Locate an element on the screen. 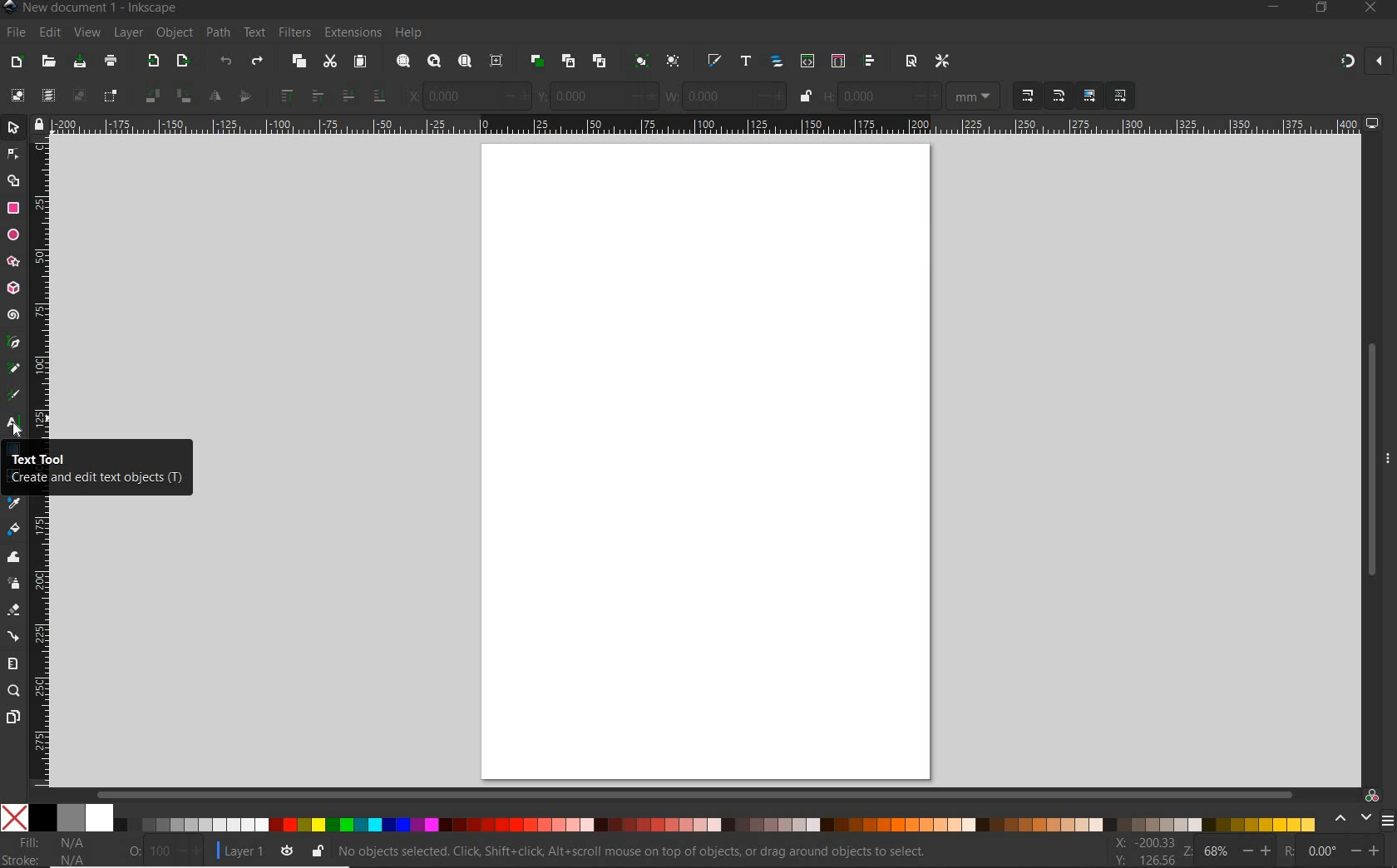  pen tool is located at coordinates (14, 342).